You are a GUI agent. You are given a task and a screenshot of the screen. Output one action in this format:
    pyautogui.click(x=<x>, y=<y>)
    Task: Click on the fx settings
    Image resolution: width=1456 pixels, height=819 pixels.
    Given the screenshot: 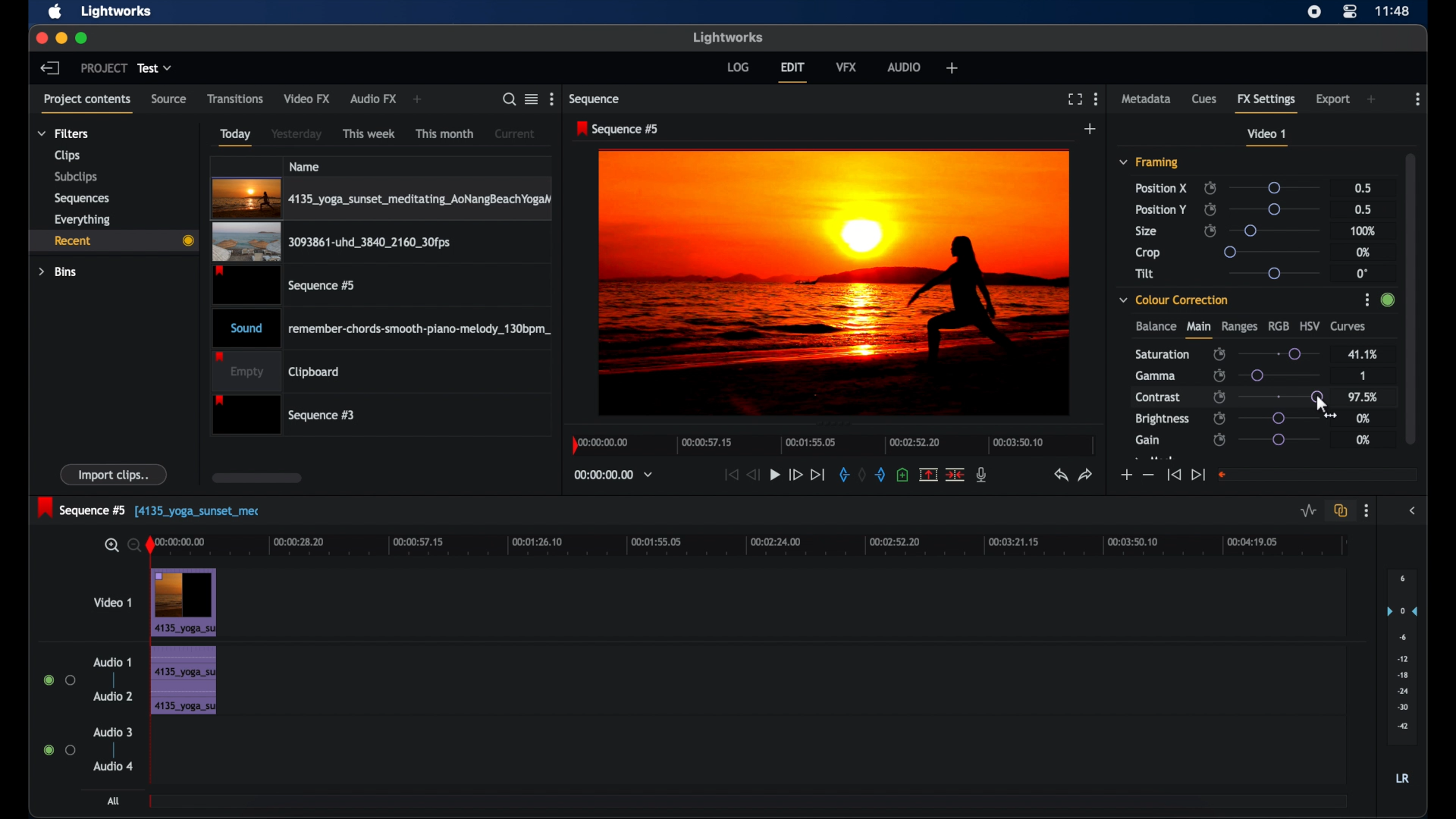 What is the action you would take?
    pyautogui.click(x=1268, y=102)
    